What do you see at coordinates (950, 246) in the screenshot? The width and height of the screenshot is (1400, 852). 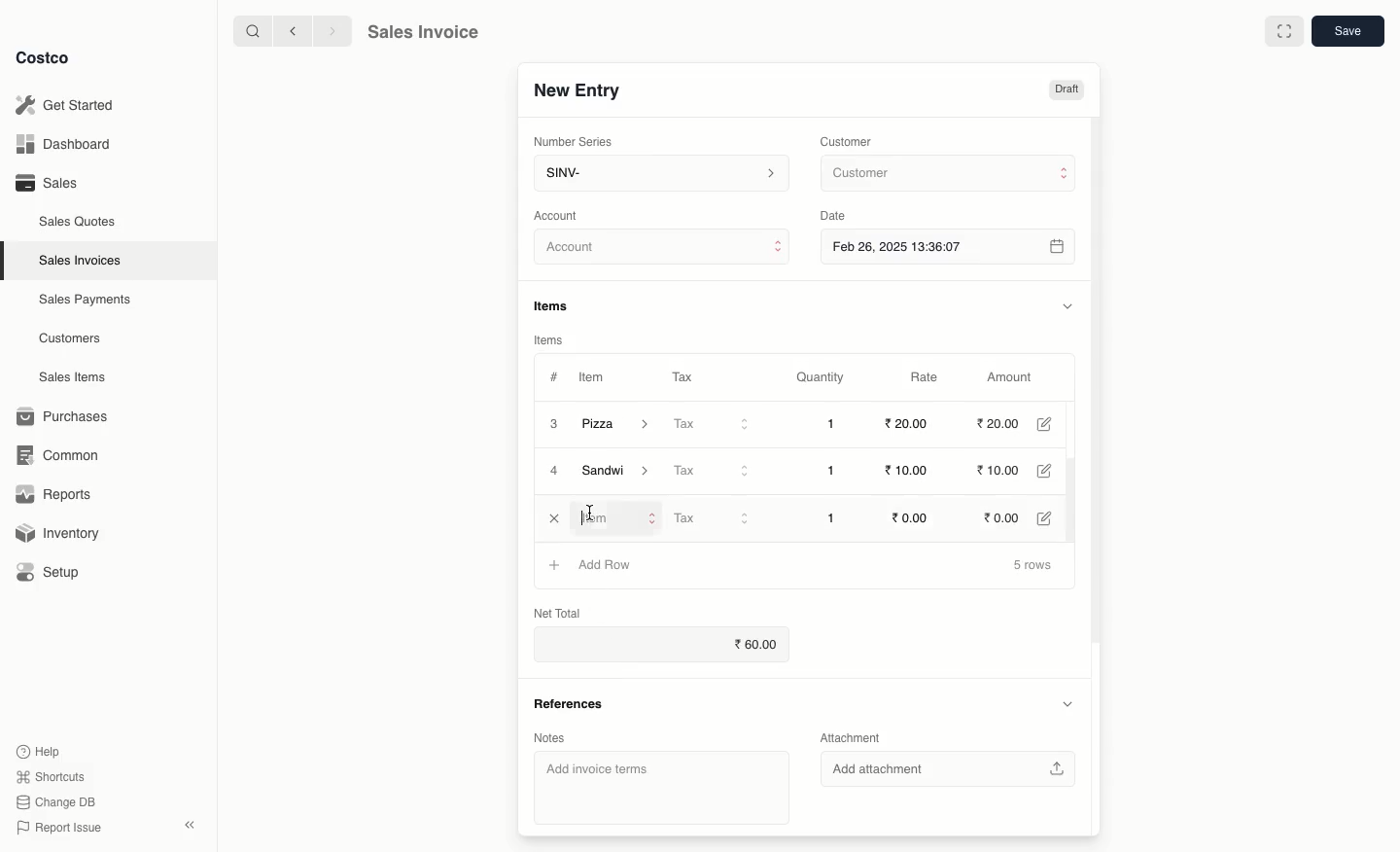 I see `Feb 26, 2025 13:36:07` at bounding box center [950, 246].